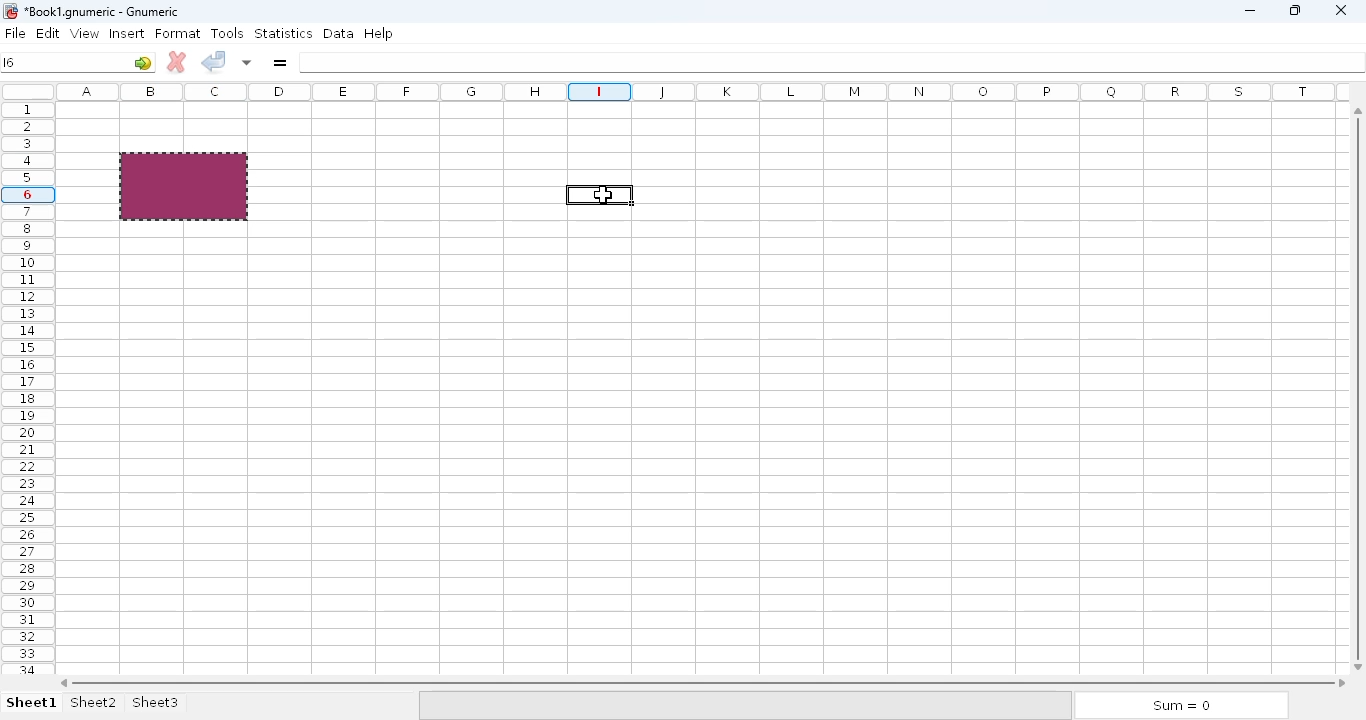  What do you see at coordinates (378, 34) in the screenshot?
I see `help` at bounding box center [378, 34].